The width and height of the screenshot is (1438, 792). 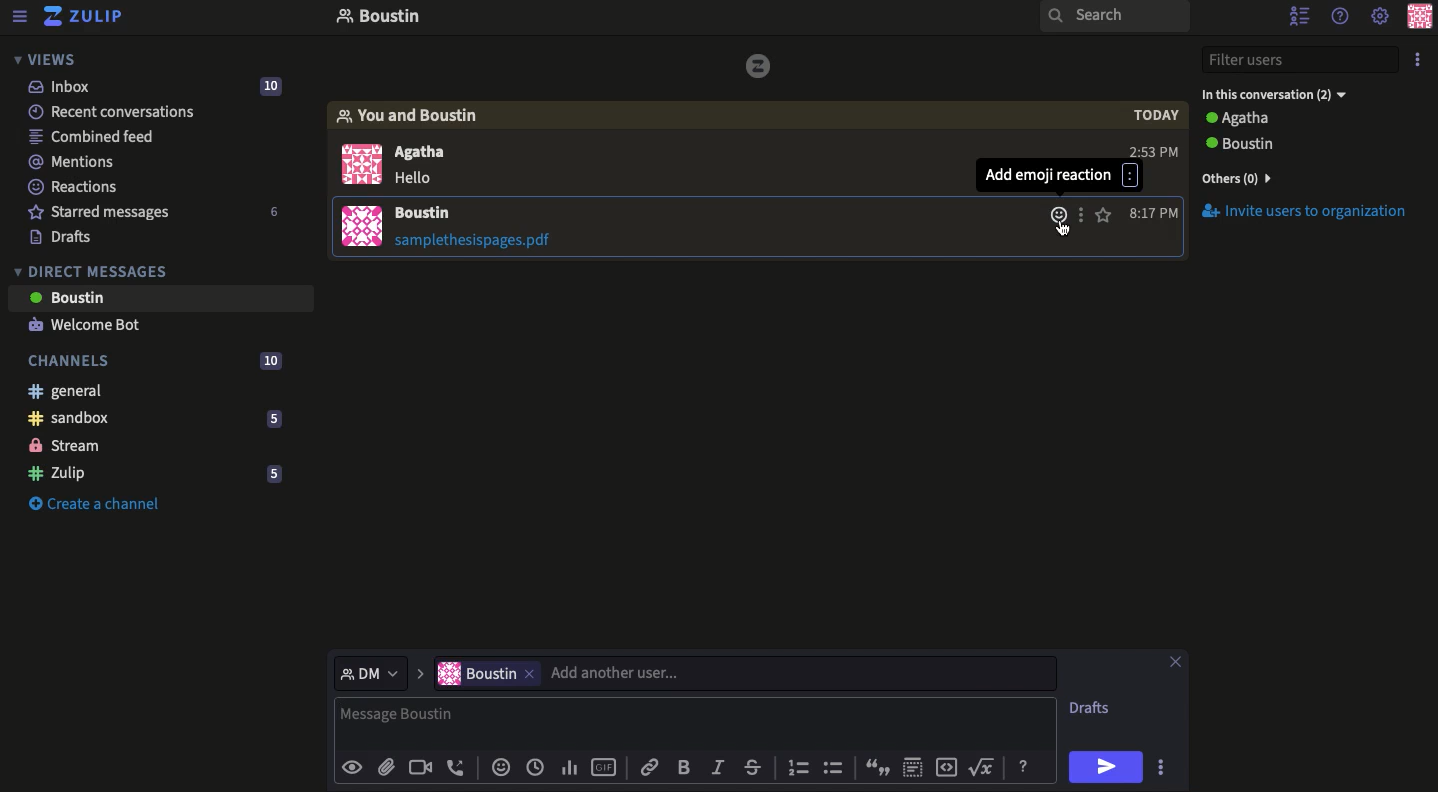 I want to click on Bulleted list, so click(x=834, y=767).